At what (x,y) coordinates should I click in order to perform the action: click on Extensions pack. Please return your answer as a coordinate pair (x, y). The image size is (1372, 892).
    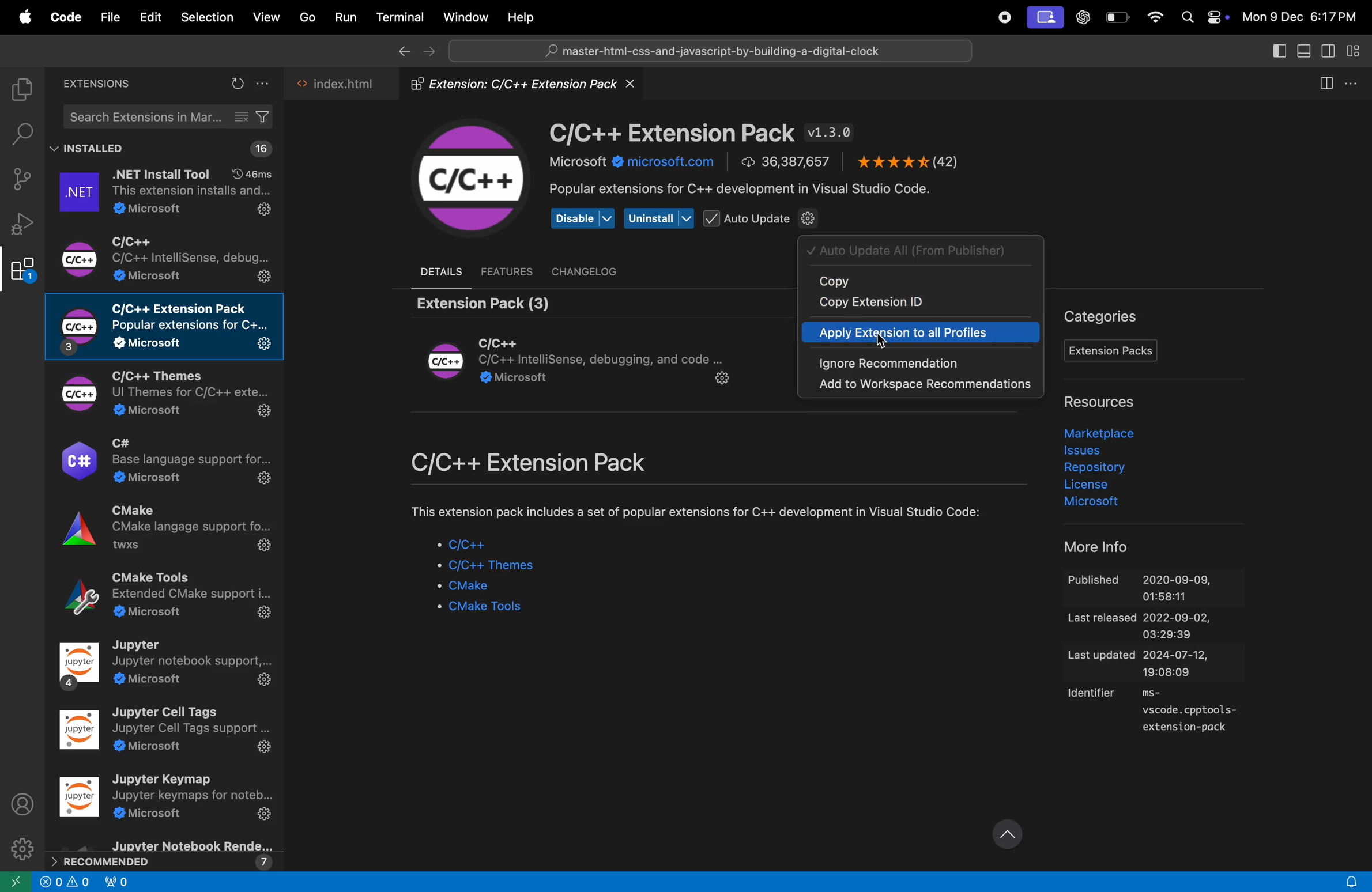
    Looking at the image, I should click on (1111, 351).